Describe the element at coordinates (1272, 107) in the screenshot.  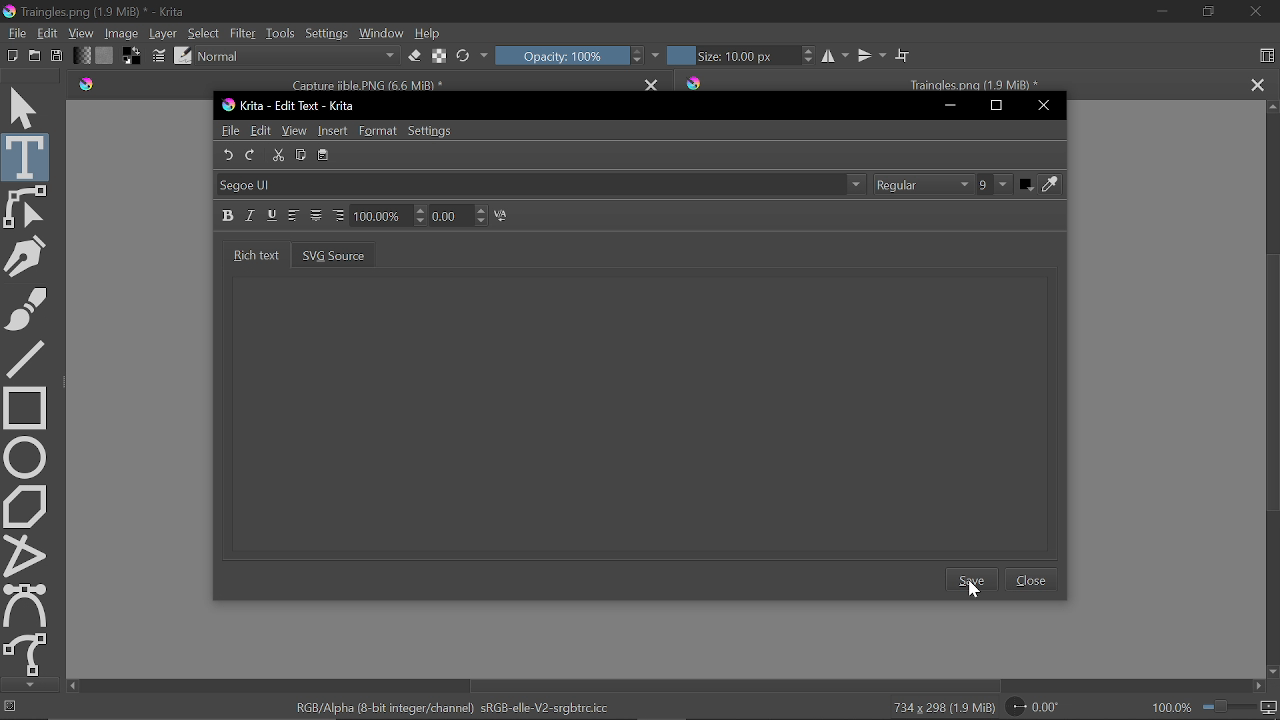
I see `Move up` at that location.